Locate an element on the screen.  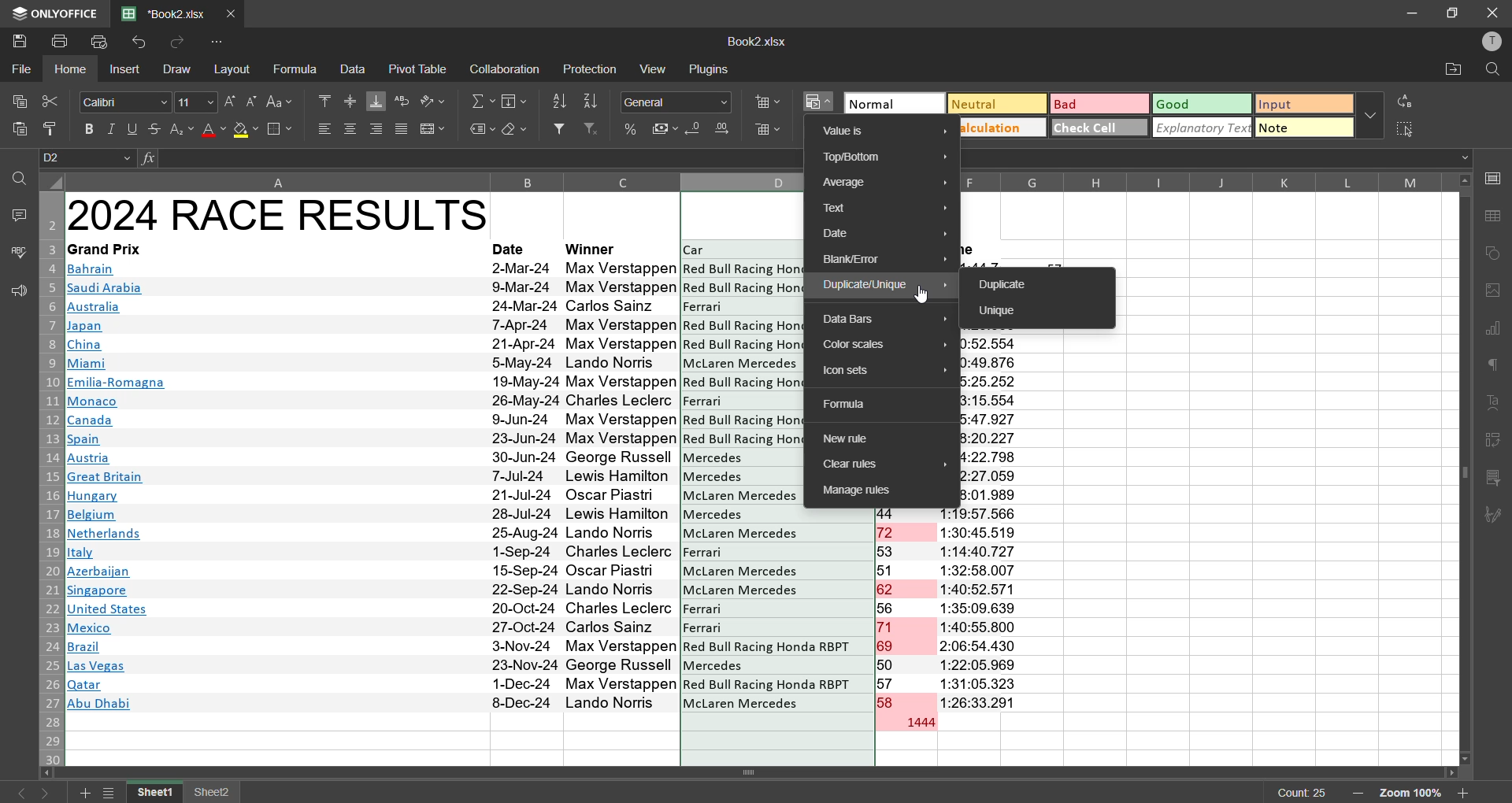
table is located at coordinates (1496, 216).